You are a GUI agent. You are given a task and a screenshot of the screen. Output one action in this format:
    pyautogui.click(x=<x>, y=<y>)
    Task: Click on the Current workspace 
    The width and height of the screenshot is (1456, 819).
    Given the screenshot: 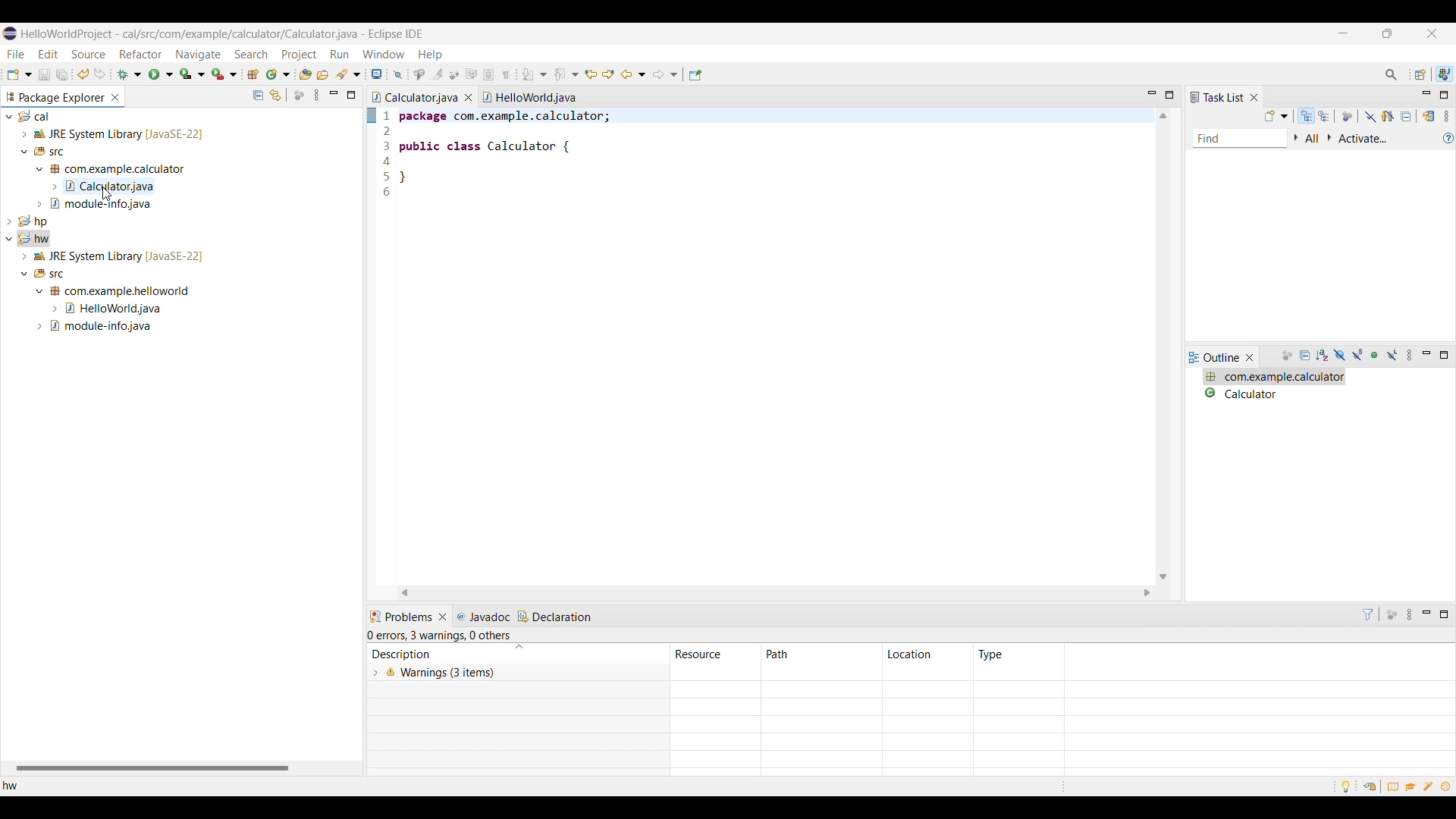 What is the action you would take?
    pyautogui.click(x=765, y=346)
    